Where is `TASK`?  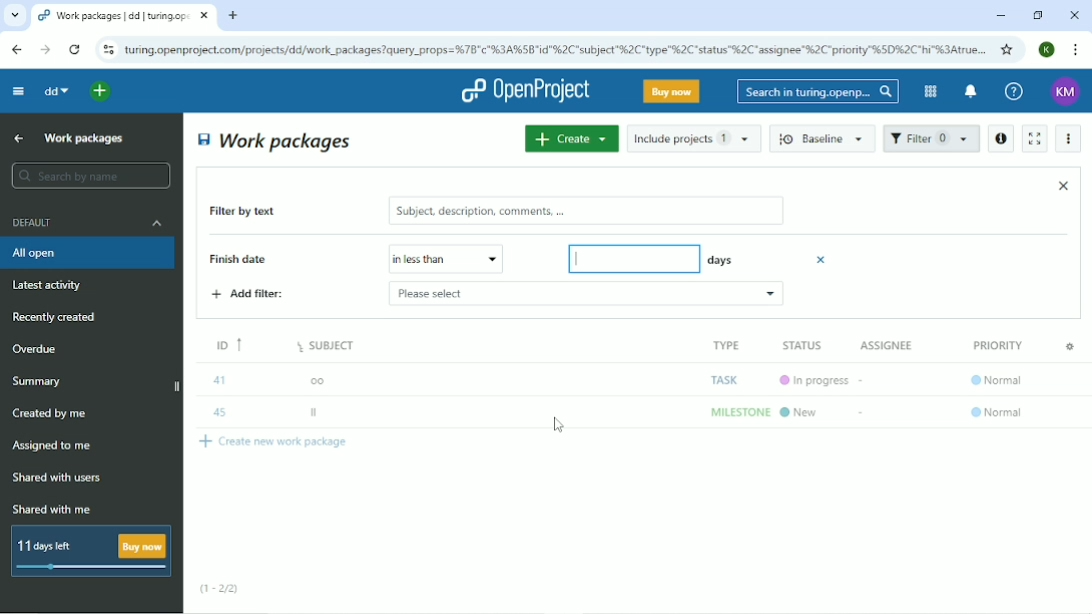 TASK is located at coordinates (722, 381).